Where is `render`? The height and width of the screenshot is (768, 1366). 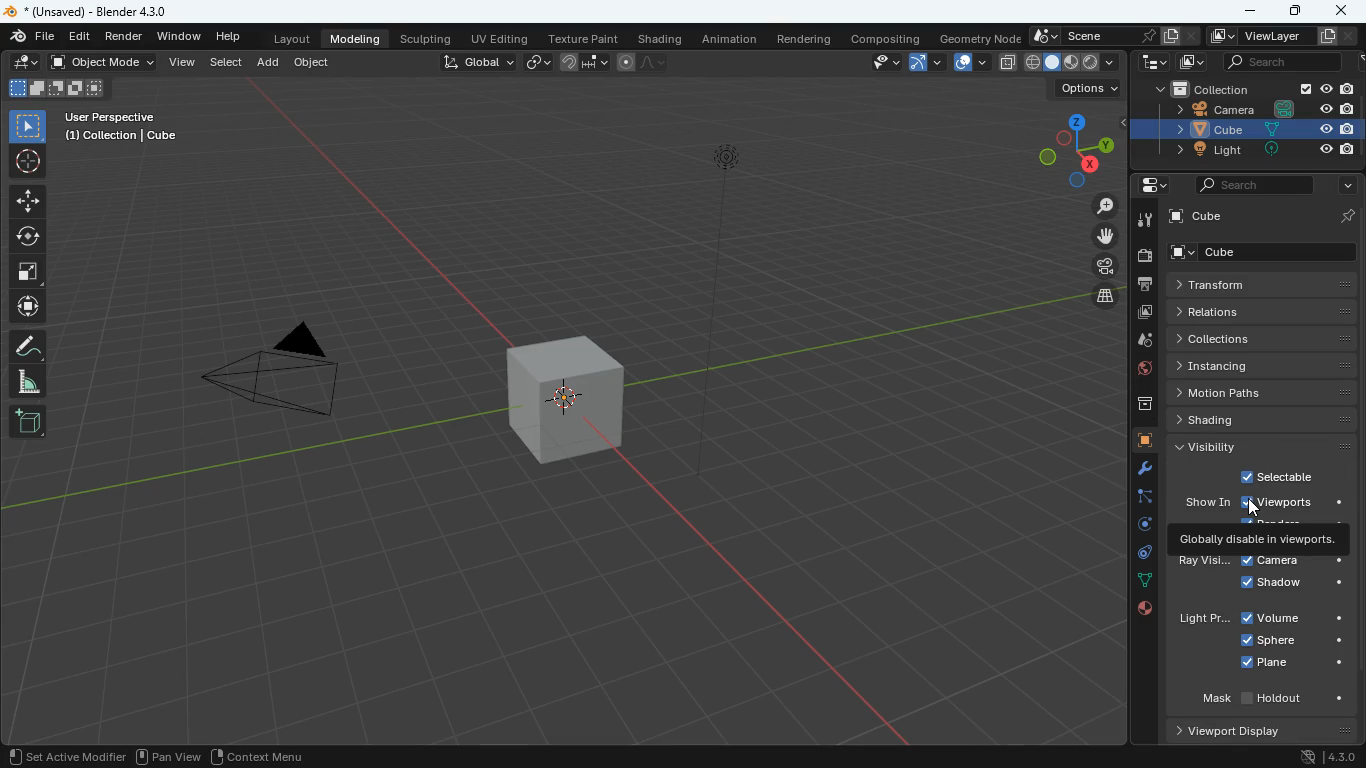
render is located at coordinates (125, 36).